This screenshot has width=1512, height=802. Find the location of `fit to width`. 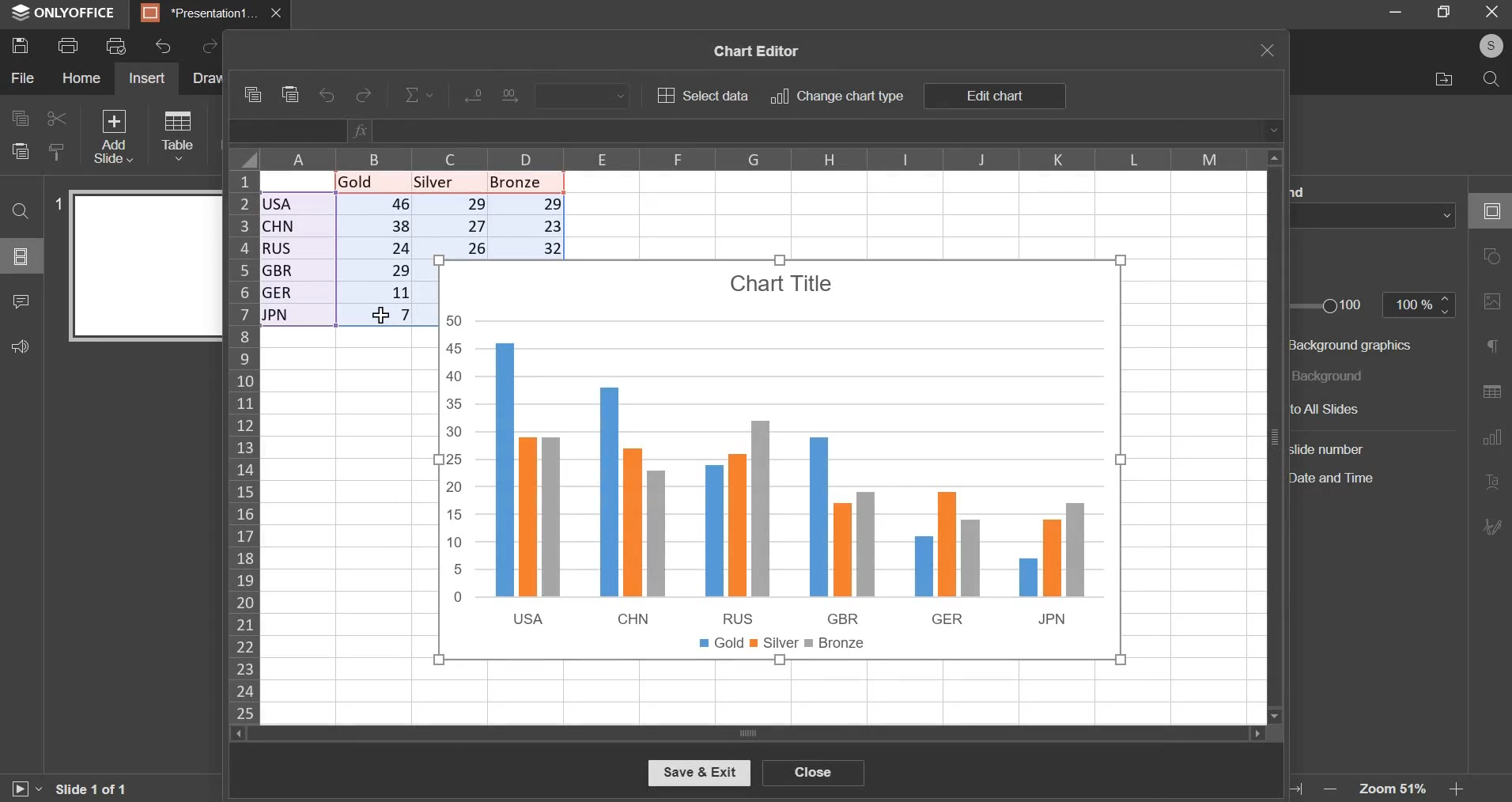

fit to width is located at coordinates (1298, 789).